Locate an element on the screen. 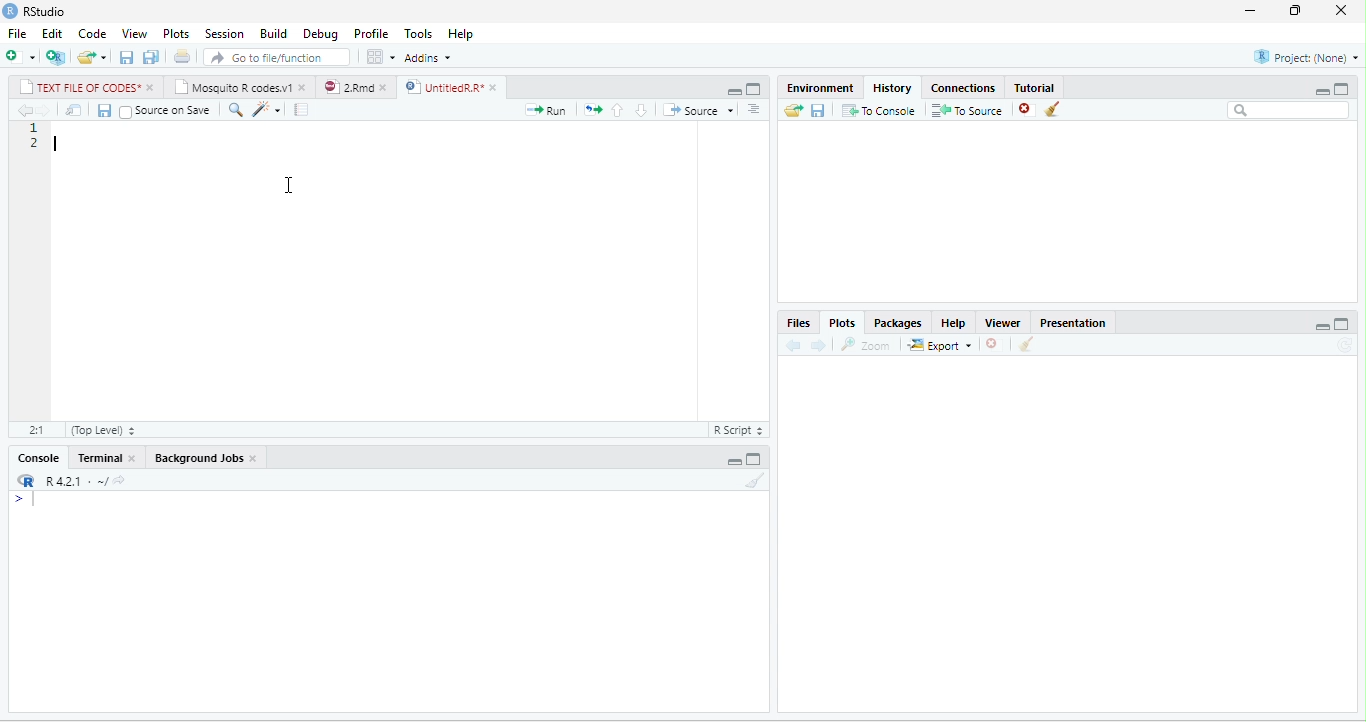 The image size is (1366, 722). minimize is located at coordinates (734, 91).